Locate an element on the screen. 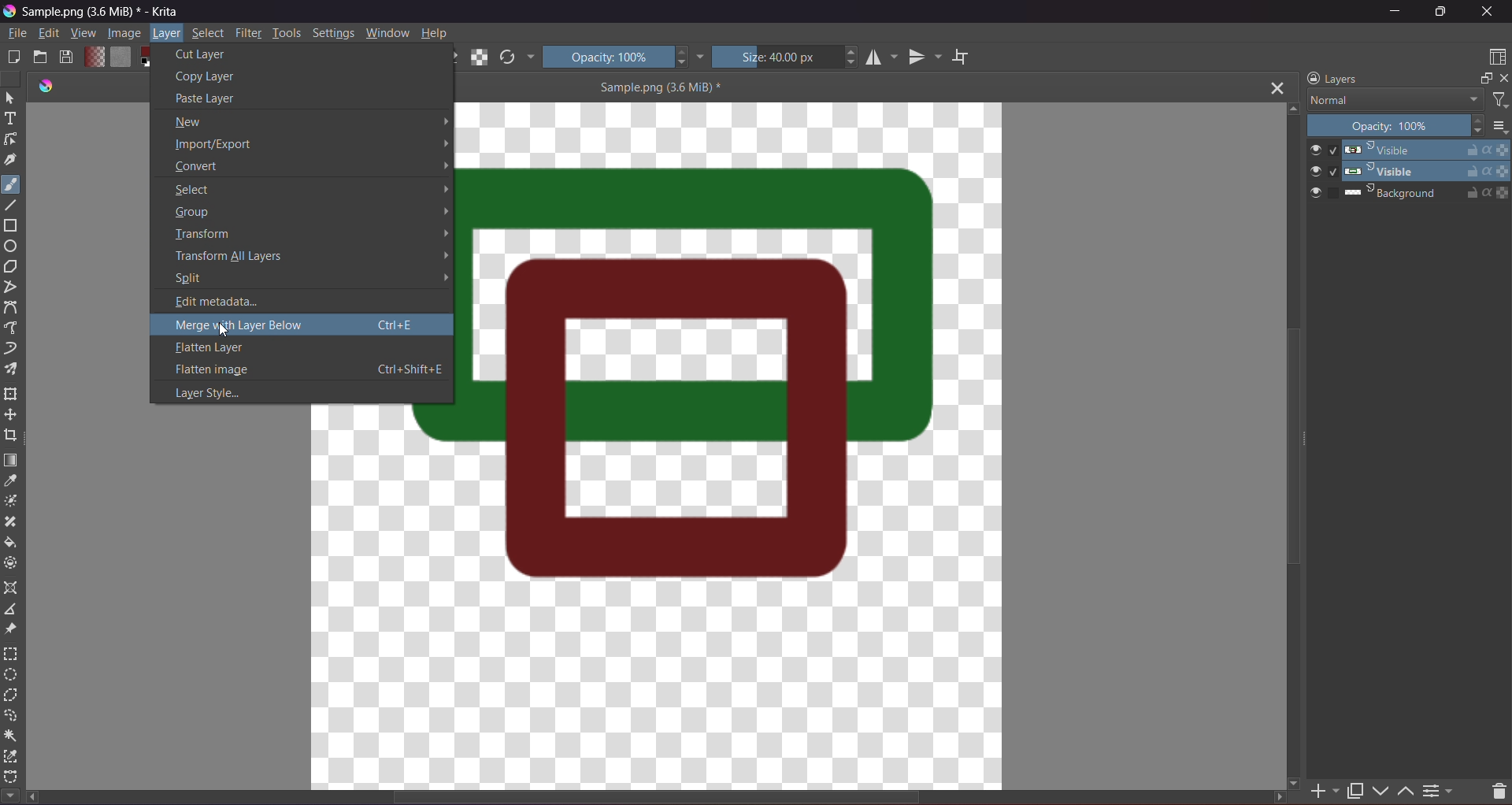 This screenshot has height=805, width=1512. Merge with layer below is located at coordinates (298, 328).